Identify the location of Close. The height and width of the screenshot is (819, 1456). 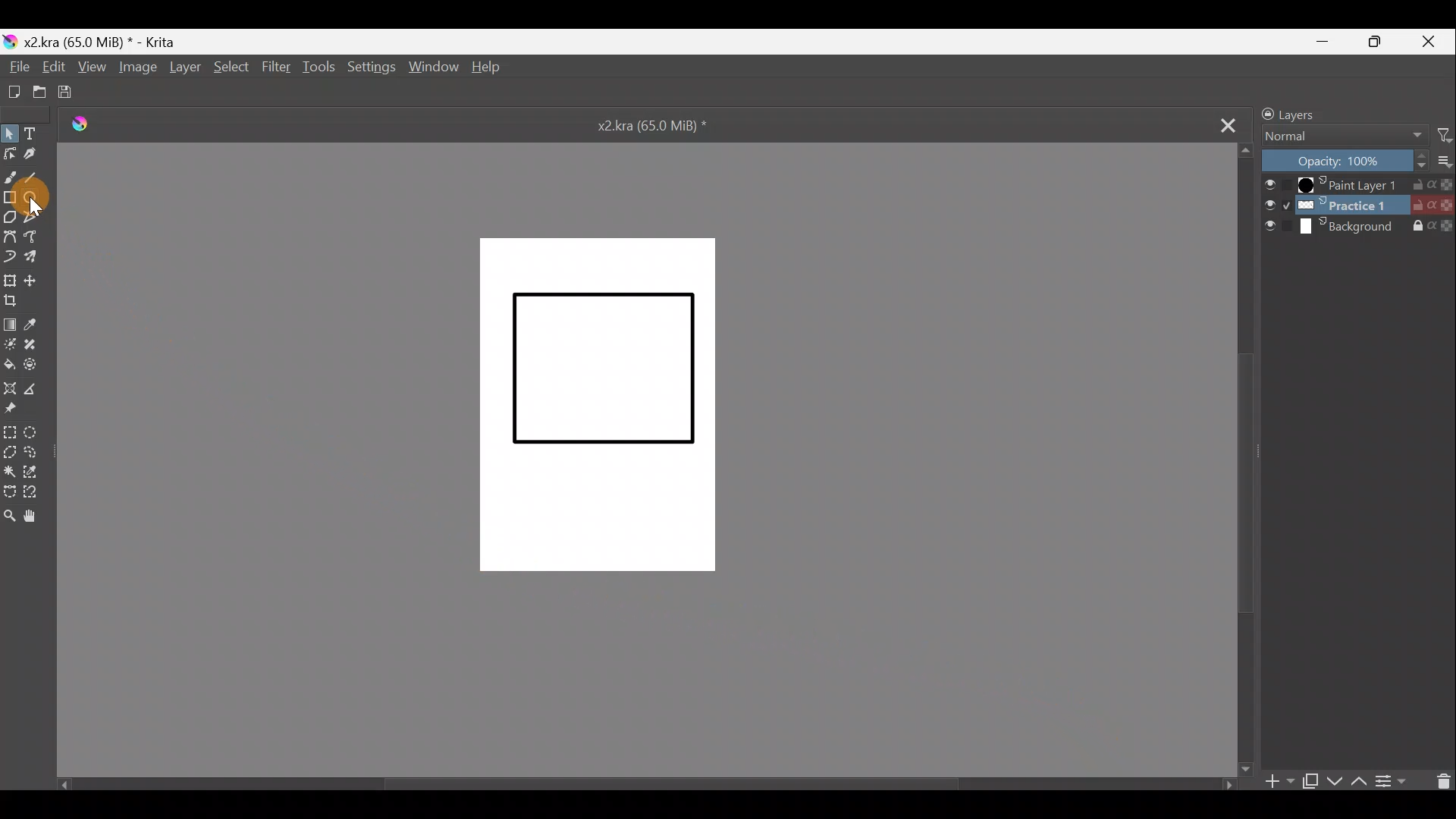
(1434, 41).